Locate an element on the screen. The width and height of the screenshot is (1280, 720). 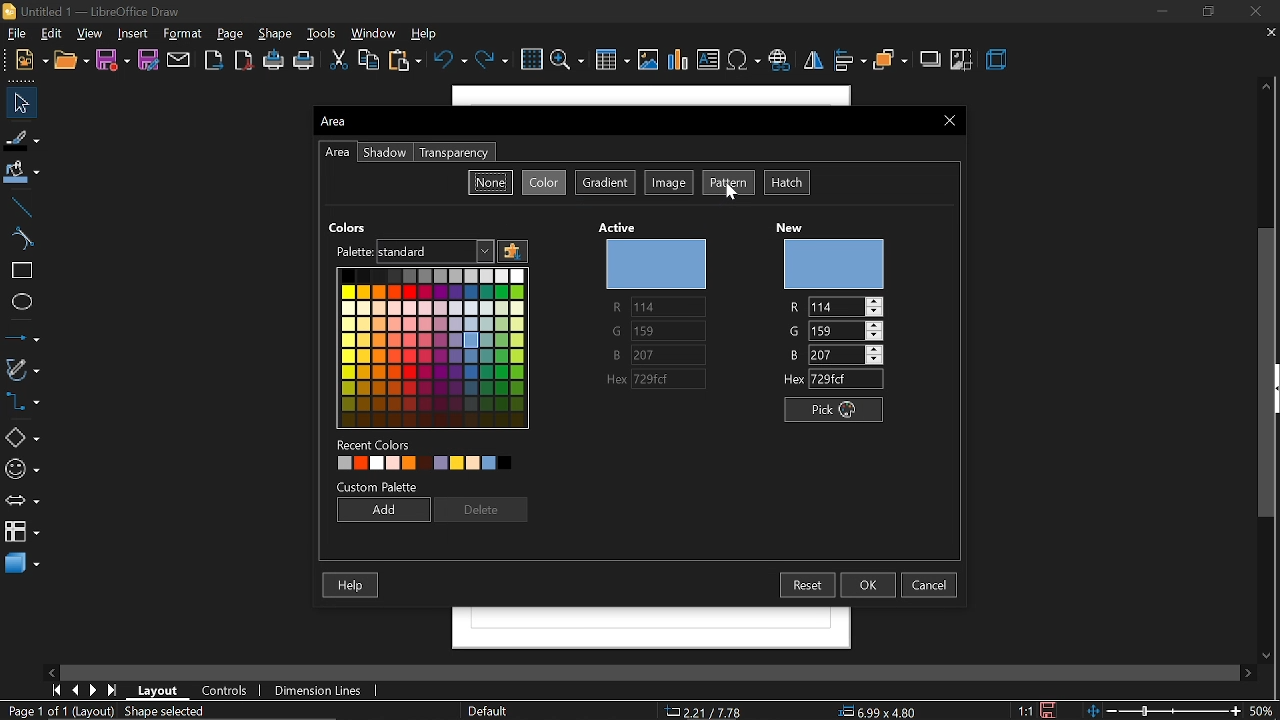
hatch is located at coordinates (790, 183).